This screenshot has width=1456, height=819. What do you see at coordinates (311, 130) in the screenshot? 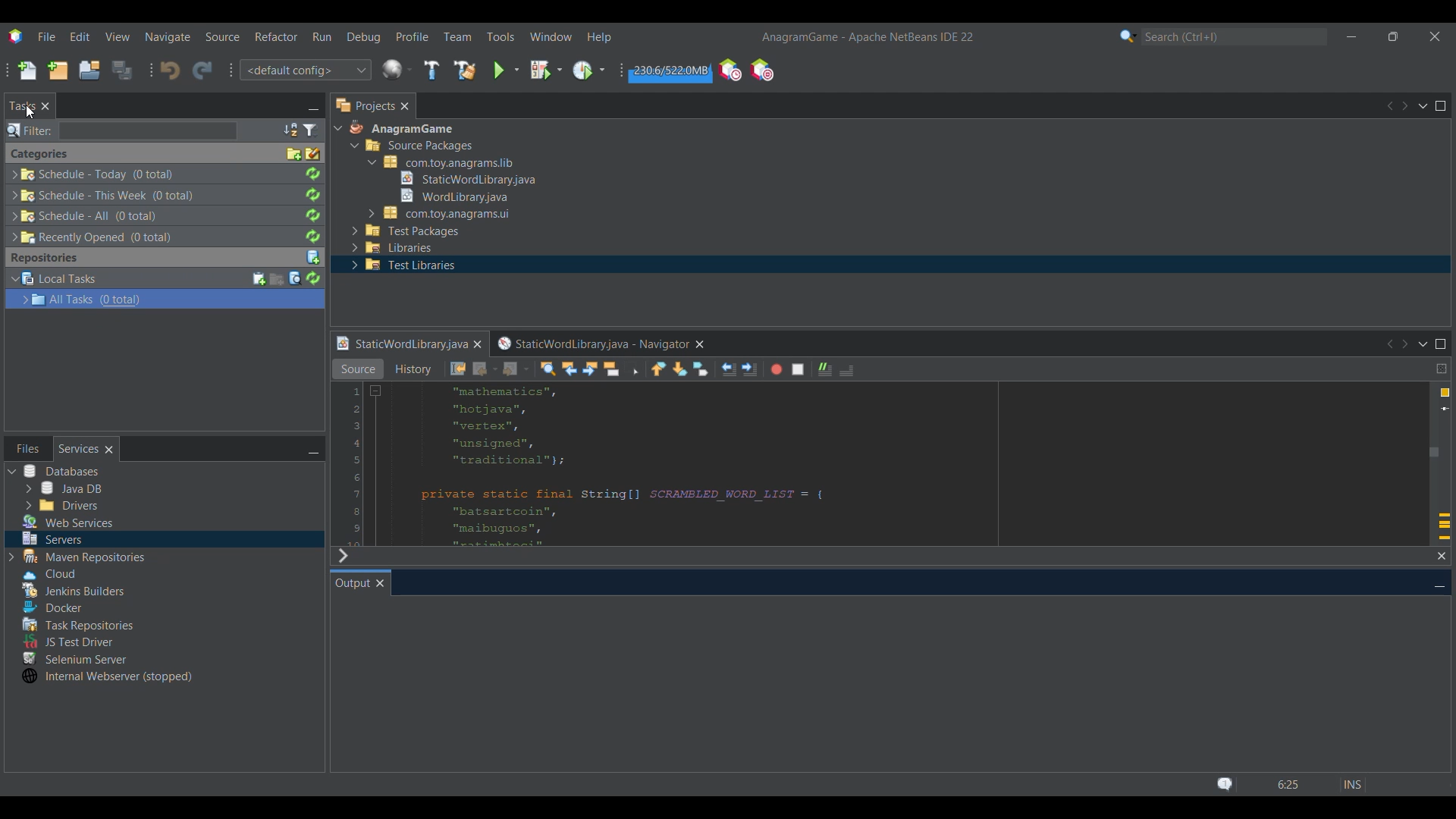
I see `Set tasks window filter` at bounding box center [311, 130].